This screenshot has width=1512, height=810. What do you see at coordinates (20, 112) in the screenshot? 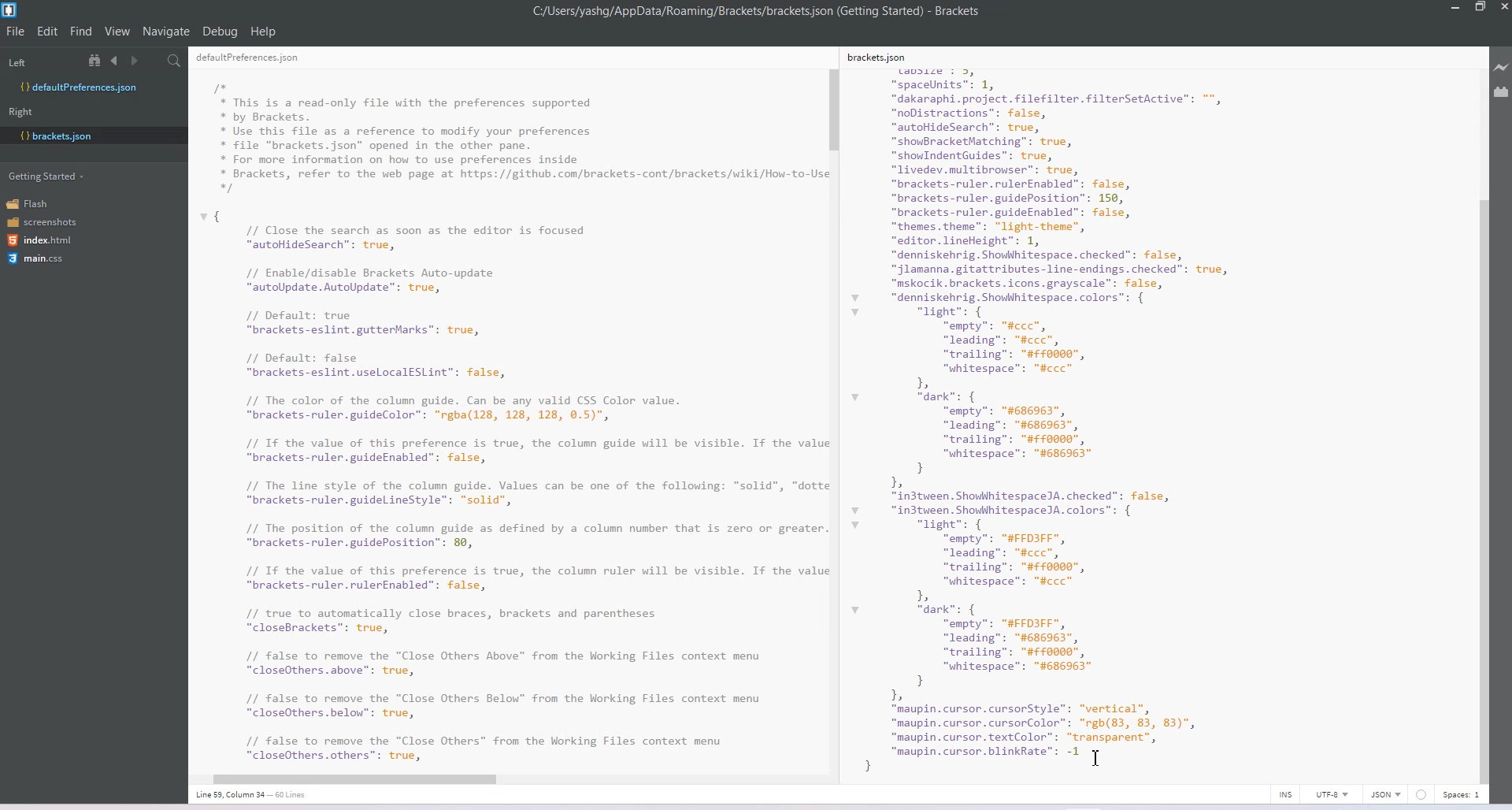
I see `Right` at bounding box center [20, 112].